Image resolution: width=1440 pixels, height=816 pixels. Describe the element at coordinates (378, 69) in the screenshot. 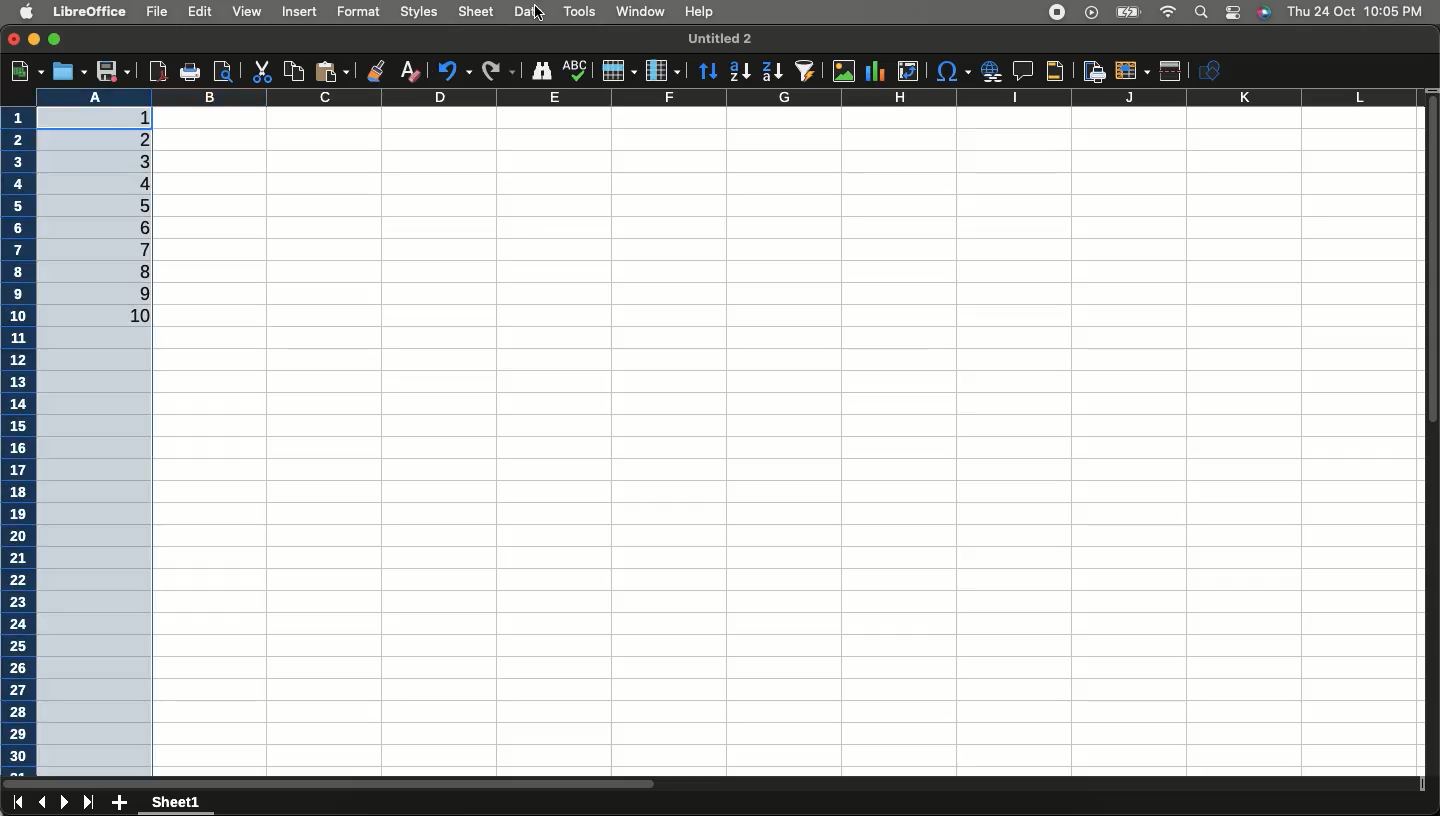

I see `Clone formatting` at that location.